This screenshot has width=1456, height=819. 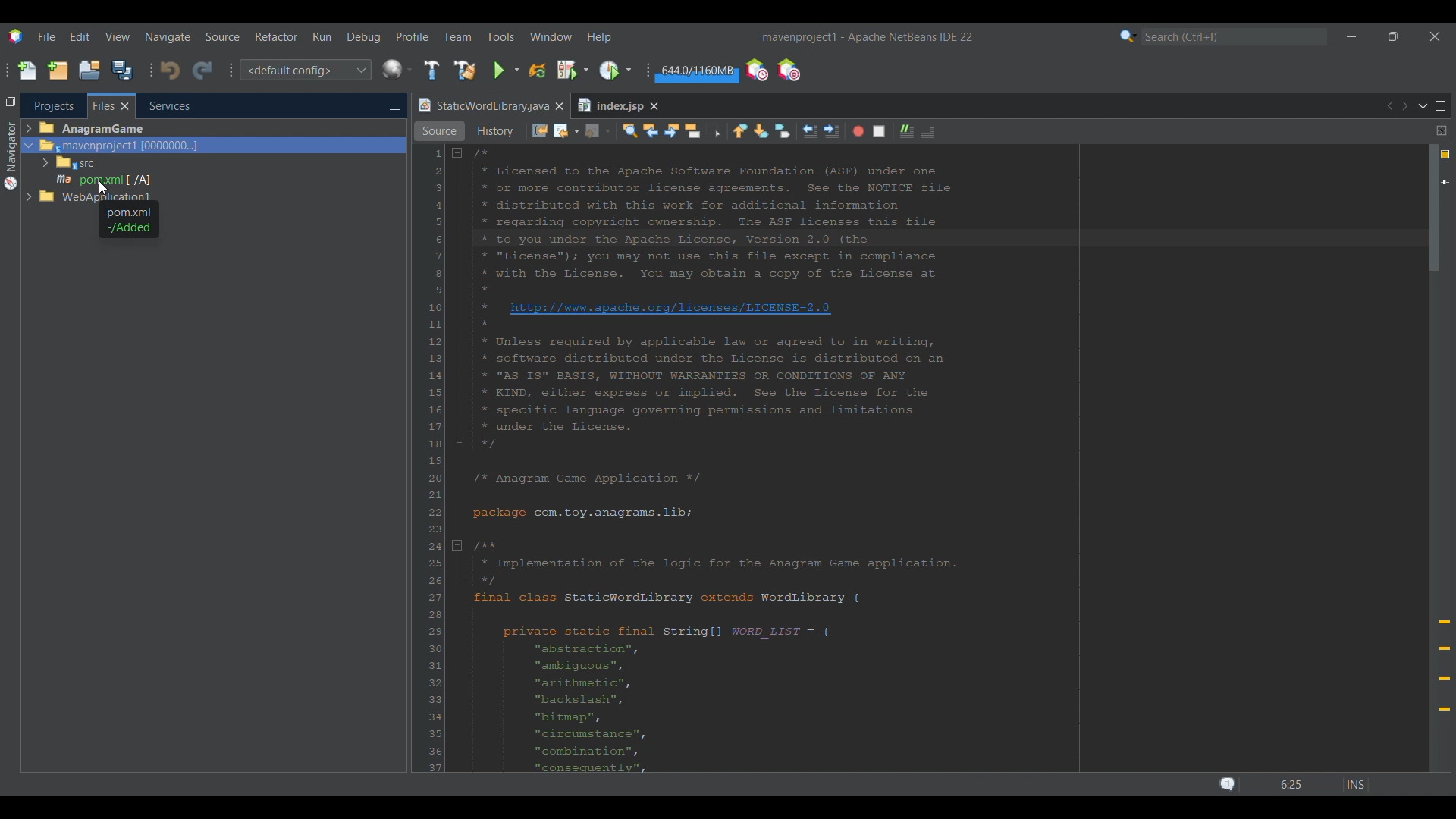 I want to click on Debug main project, so click(x=573, y=70).